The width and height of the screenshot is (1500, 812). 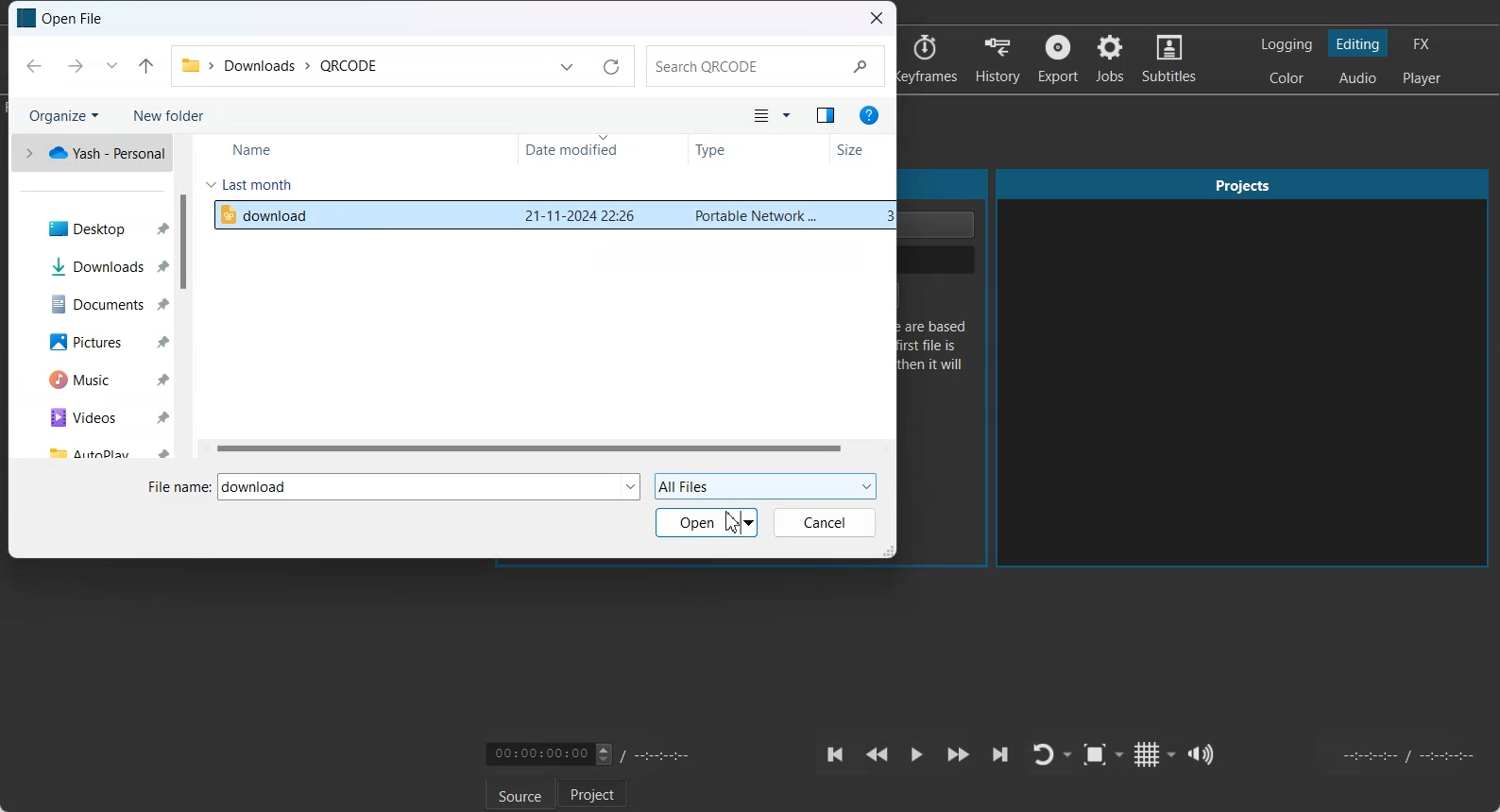 What do you see at coordinates (1172, 754) in the screenshot?
I see `Drop down box` at bounding box center [1172, 754].